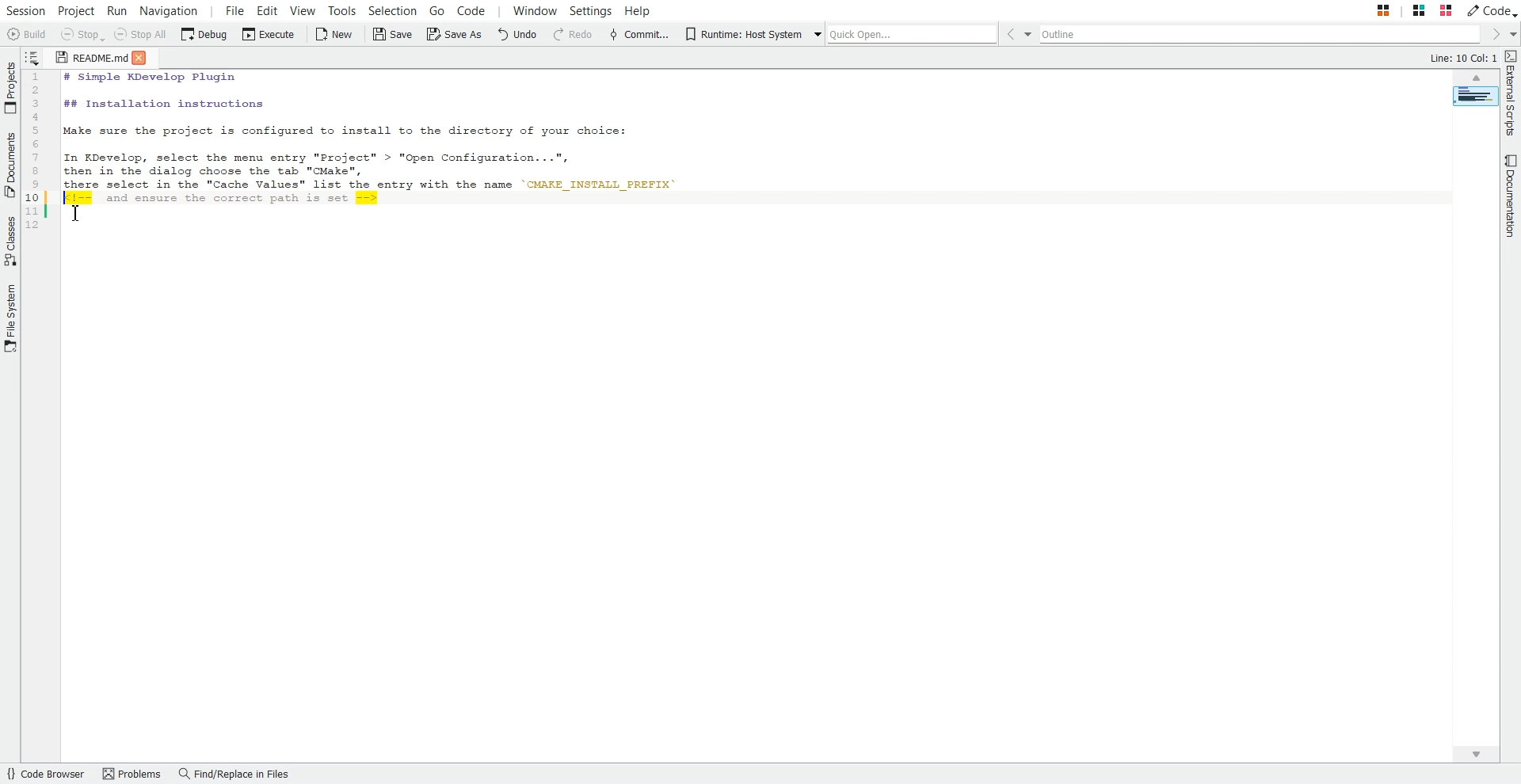 The height and width of the screenshot is (784, 1521). I want to click on Stack, so click(1402, 10).